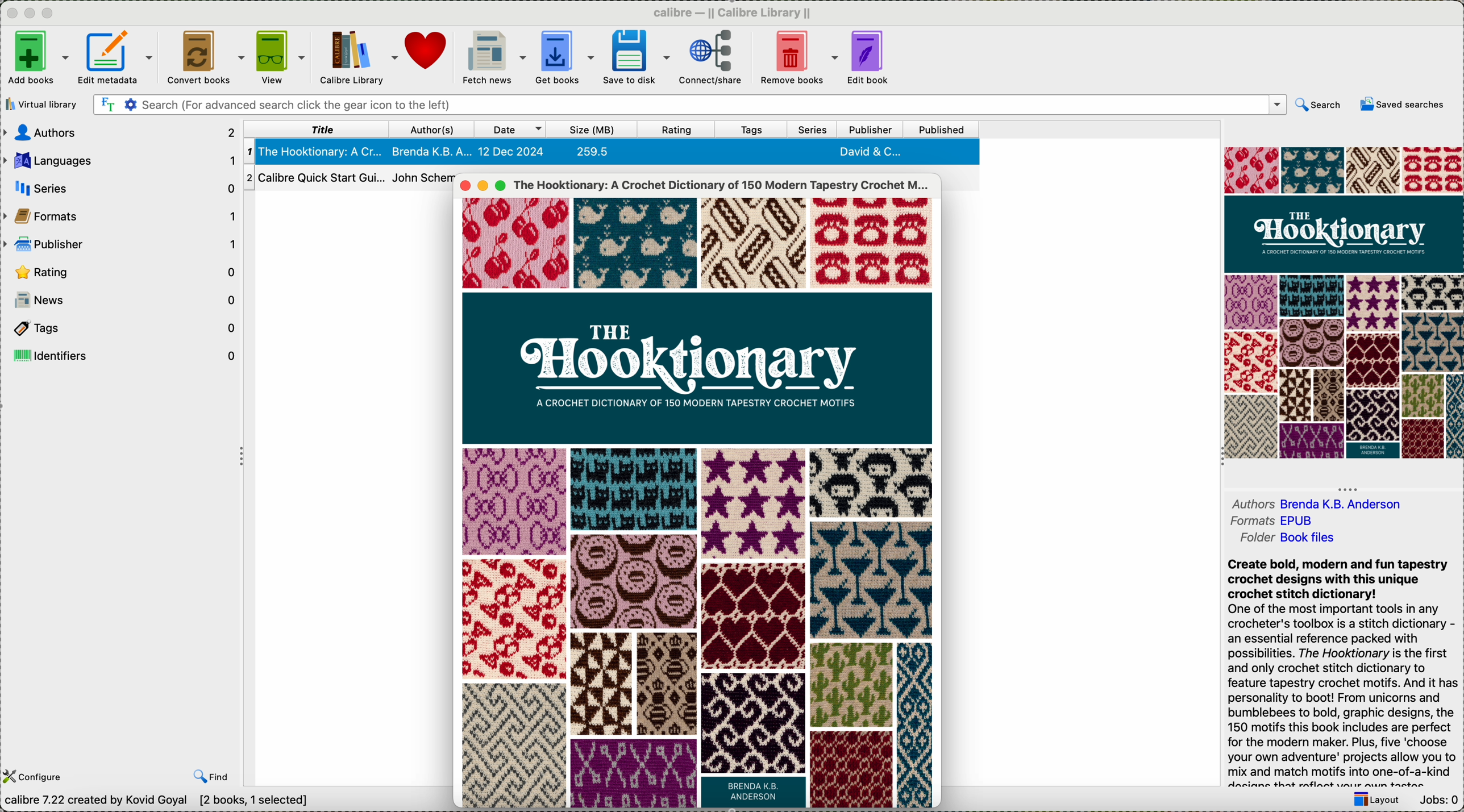 This screenshot has width=1464, height=812. I want to click on second book, so click(347, 180).